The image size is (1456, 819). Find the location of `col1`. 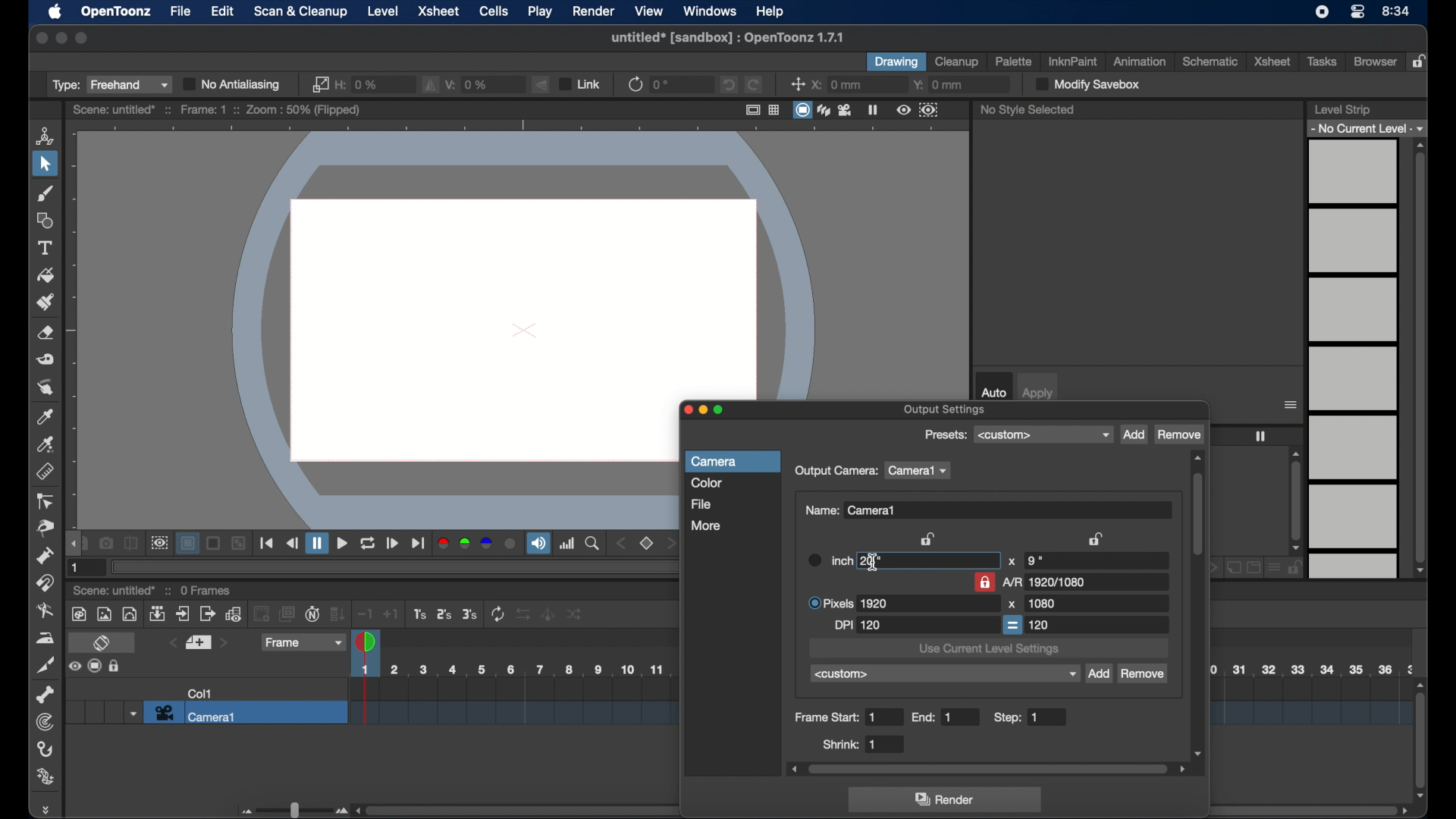

col1 is located at coordinates (200, 693).